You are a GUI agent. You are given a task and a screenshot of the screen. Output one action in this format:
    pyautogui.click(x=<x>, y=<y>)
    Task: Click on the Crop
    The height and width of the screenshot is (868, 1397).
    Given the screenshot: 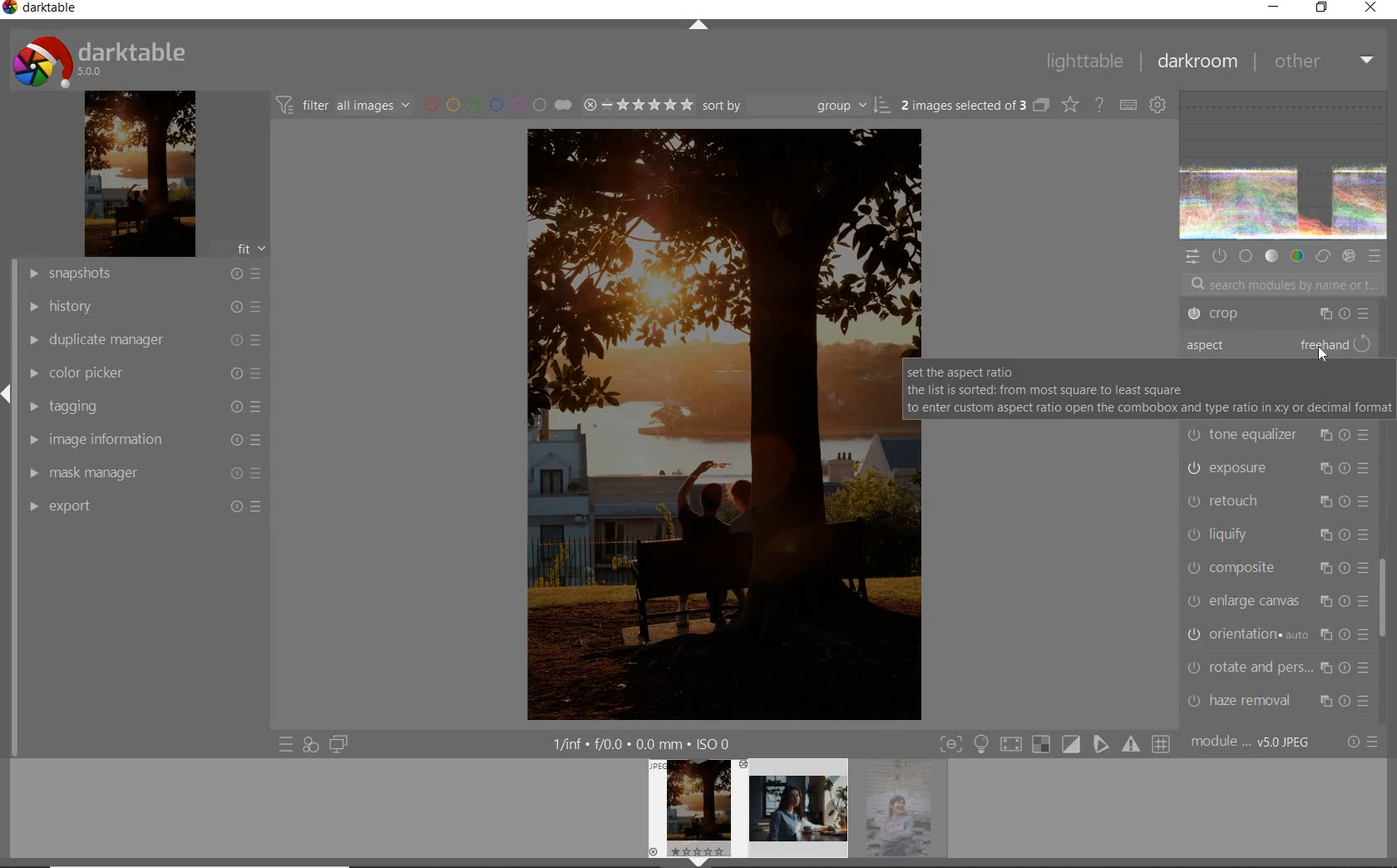 What is the action you would take?
    pyautogui.click(x=1278, y=316)
    